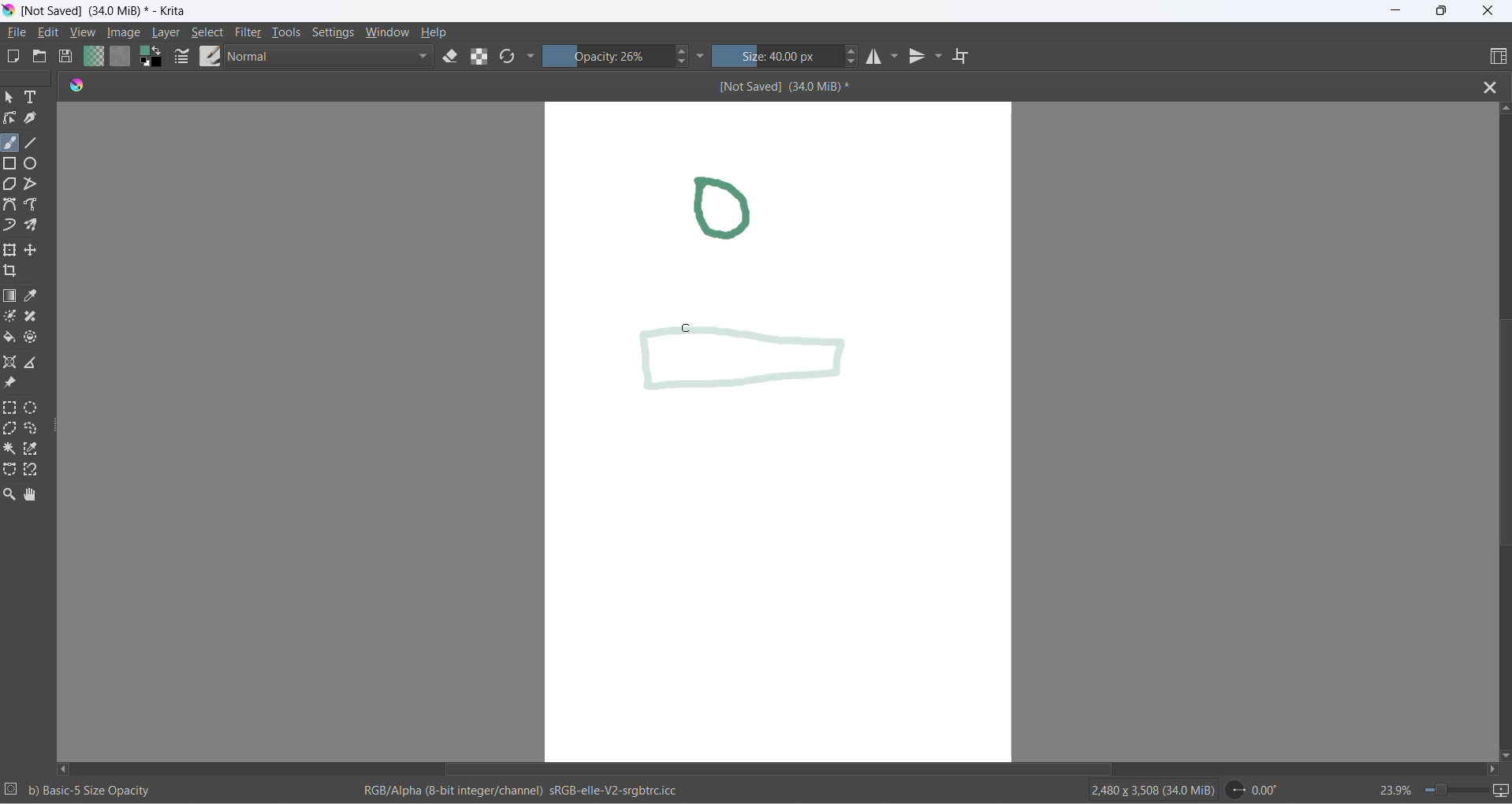 This screenshot has height=804, width=1512. Describe the element at coordinates (36, 318) in the screenshot. I see `smart patch tool` at that location.